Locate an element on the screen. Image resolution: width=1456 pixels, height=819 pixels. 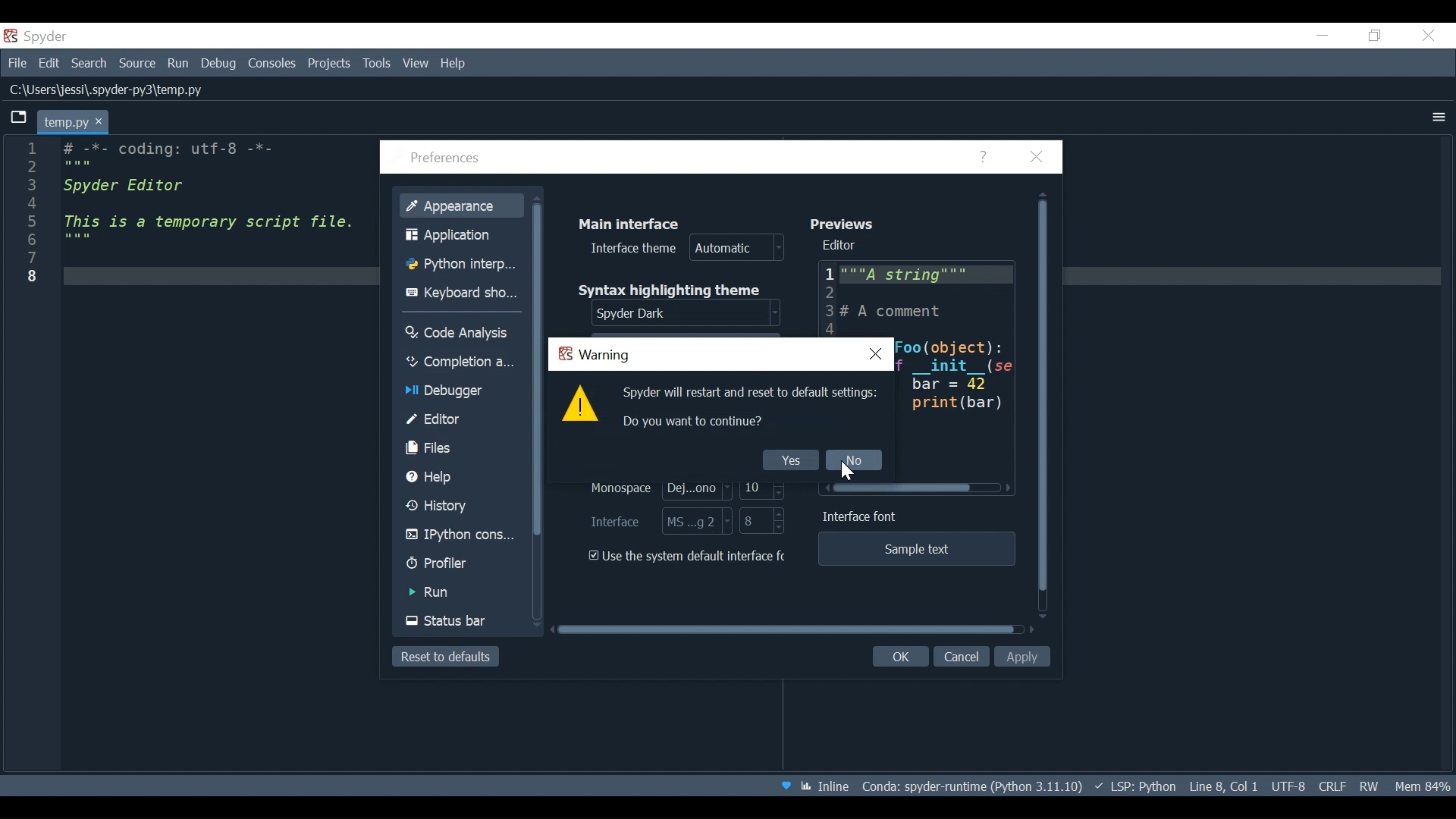
Debug is located at coordinates (221, 64).